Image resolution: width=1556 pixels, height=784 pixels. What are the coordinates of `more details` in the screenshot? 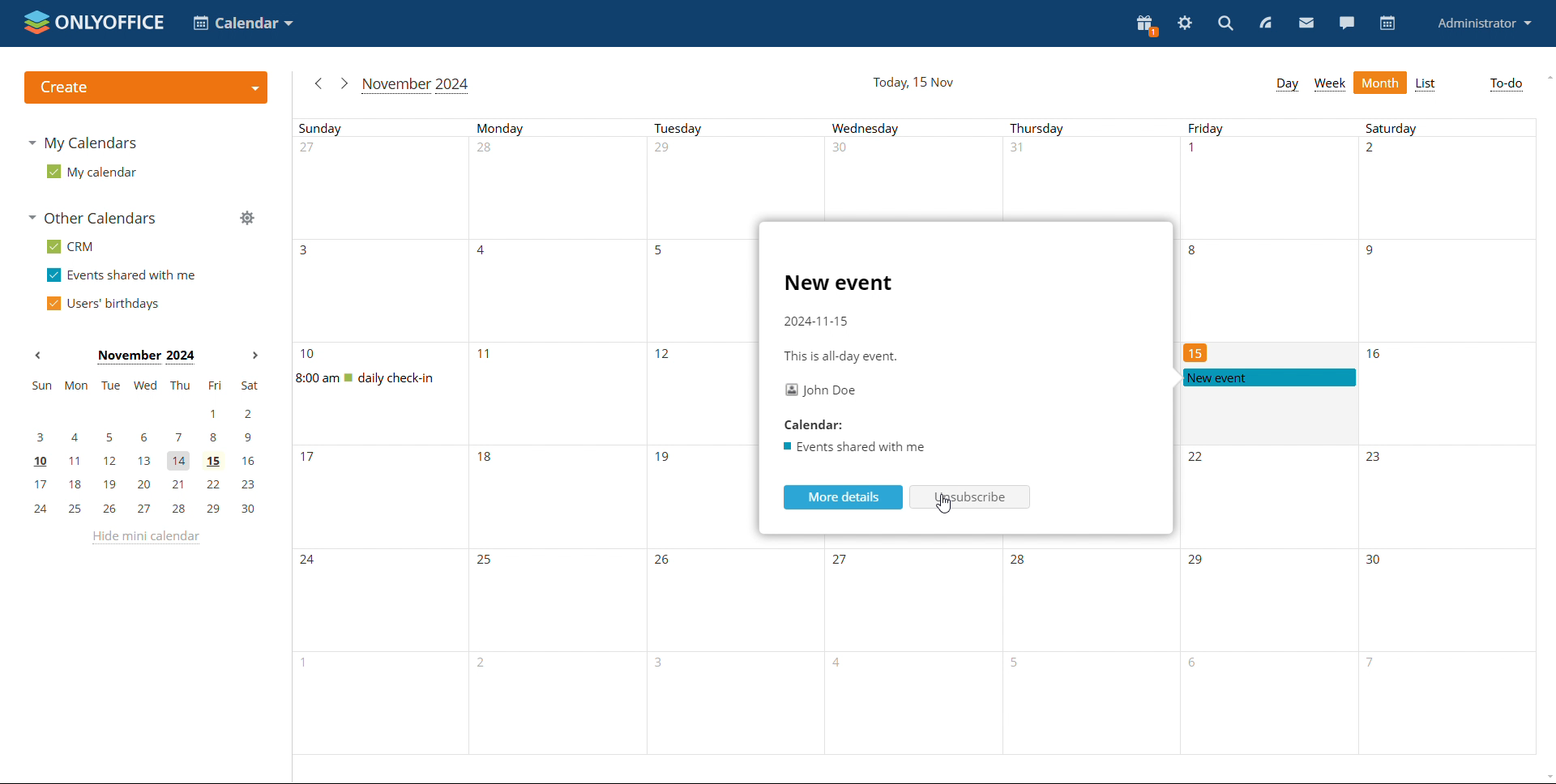 It's located at (841, 498).